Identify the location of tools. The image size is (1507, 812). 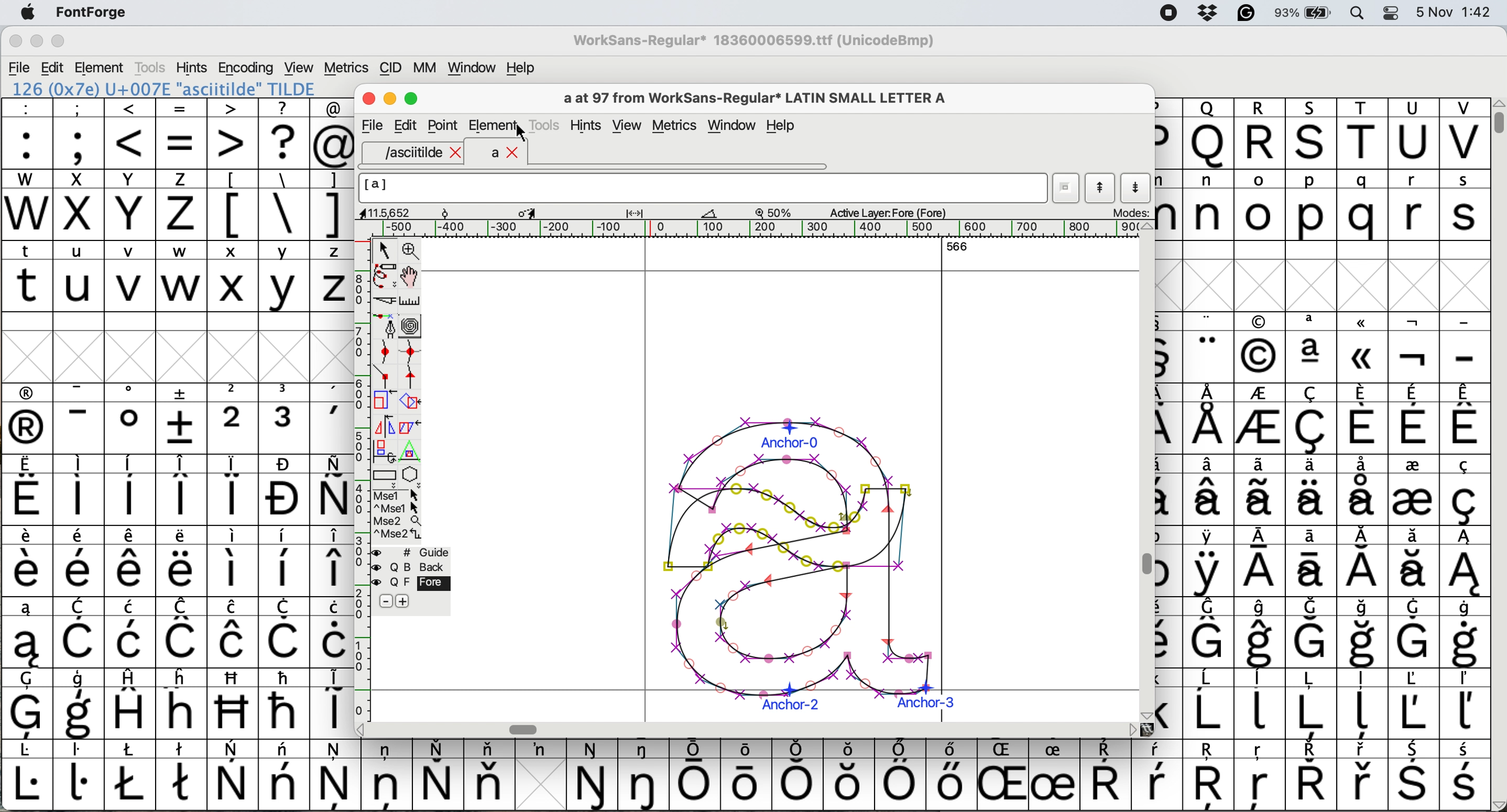
(546, 123).